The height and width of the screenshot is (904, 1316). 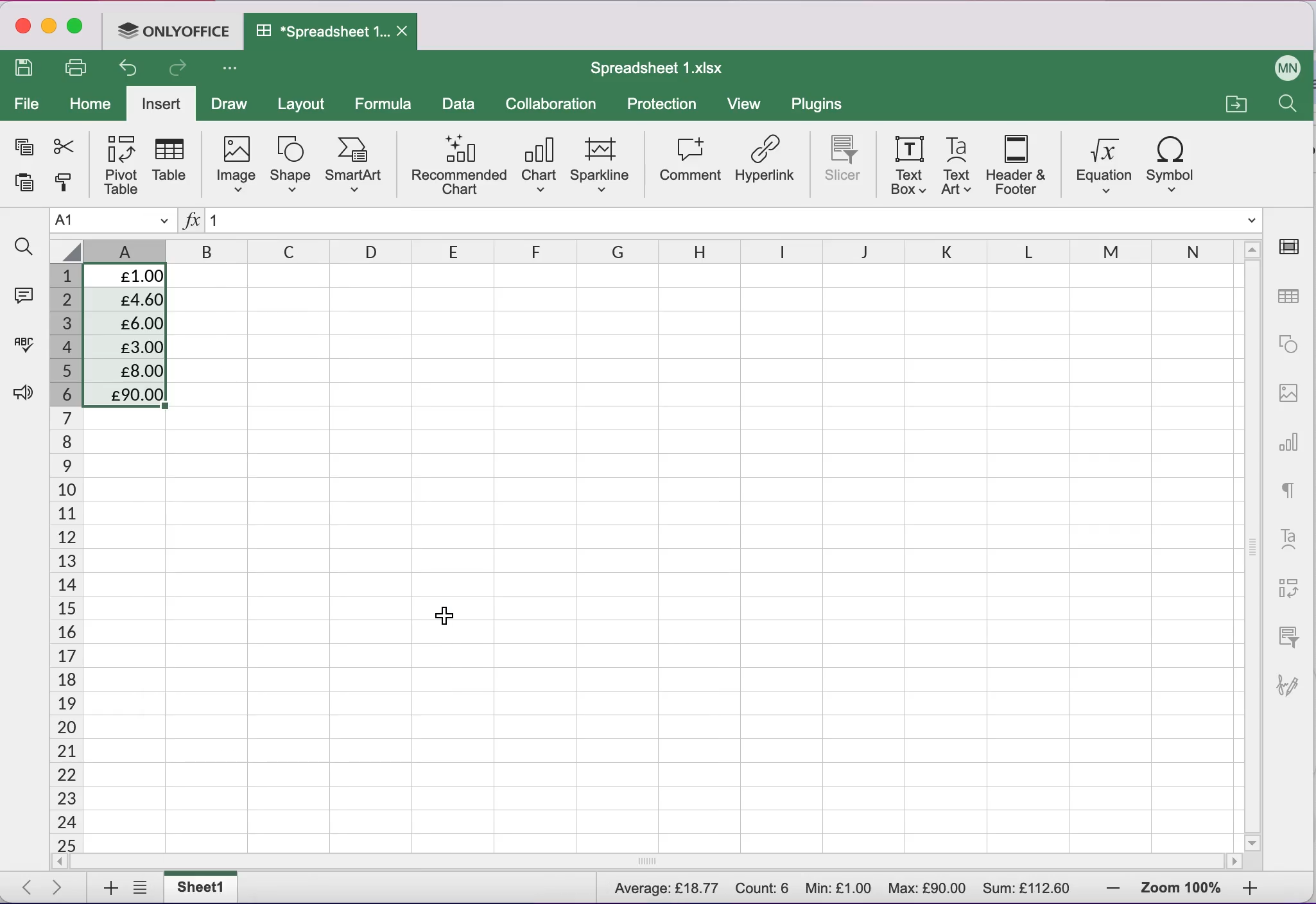 I want to click on £6.00, so click(x=132, y=324).